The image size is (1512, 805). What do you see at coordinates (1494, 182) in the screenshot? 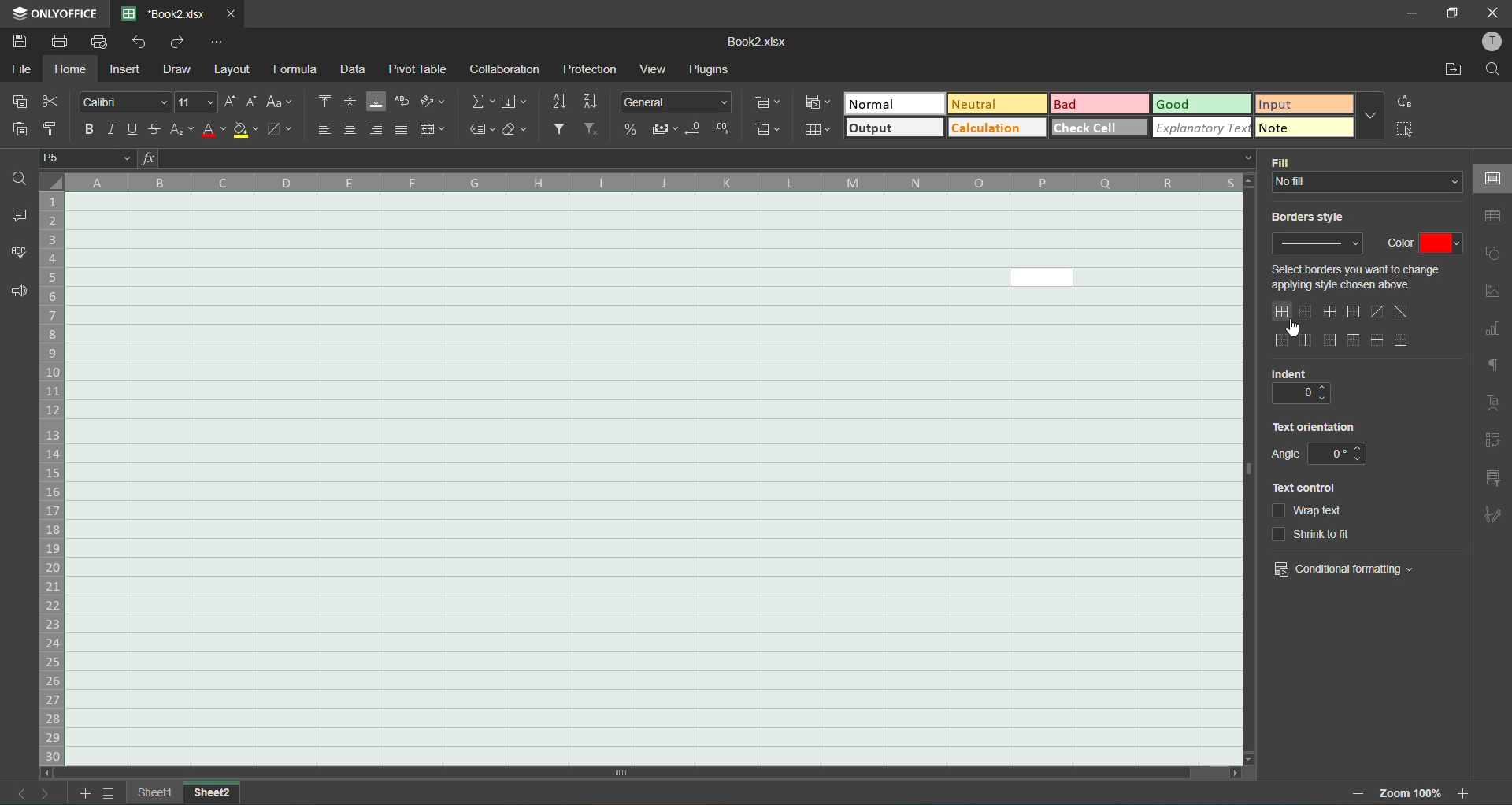
I see `cell settings` at bounding box center [1494, 182].